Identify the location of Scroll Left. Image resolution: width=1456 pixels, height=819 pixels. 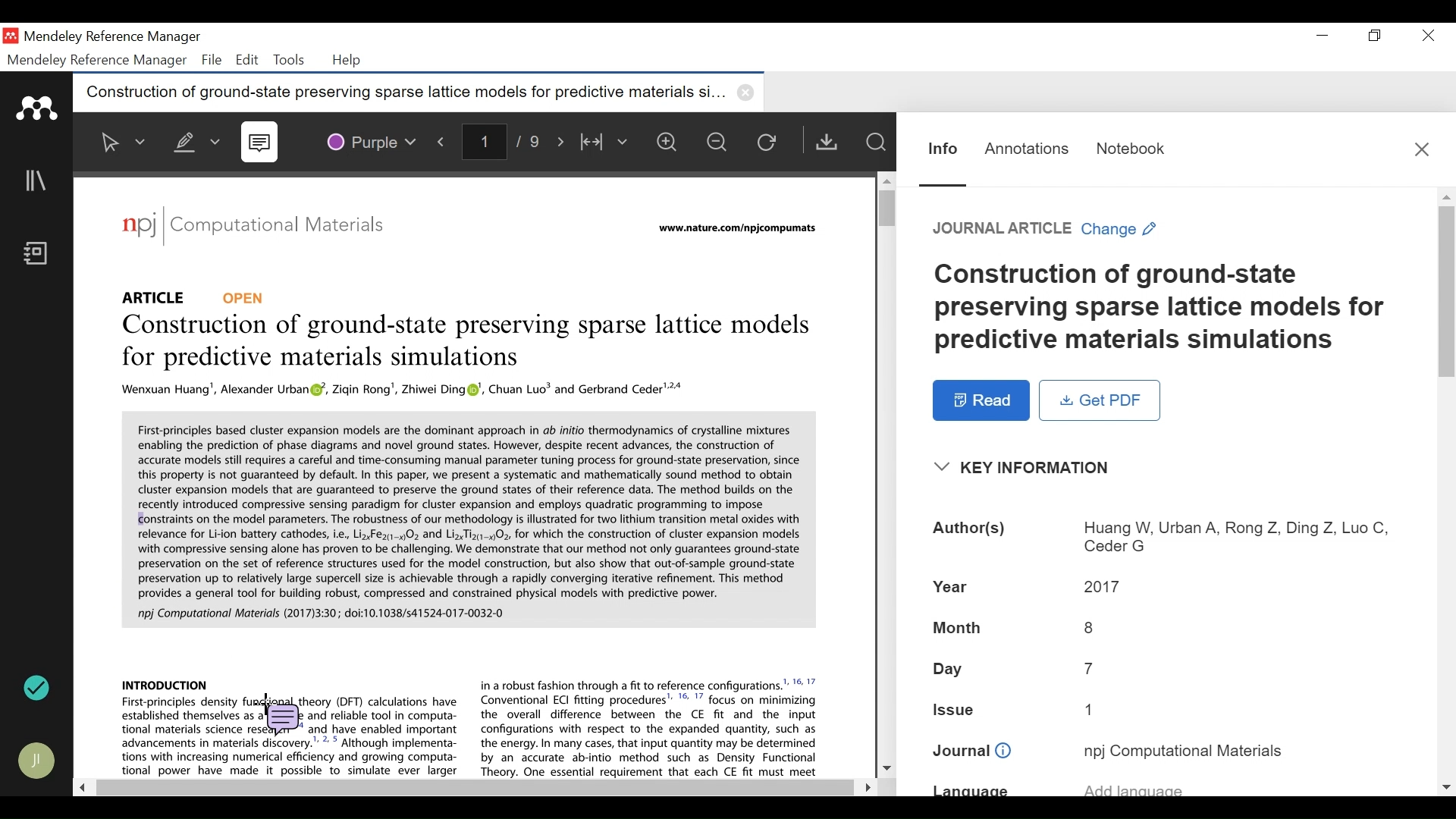
(83, 789).